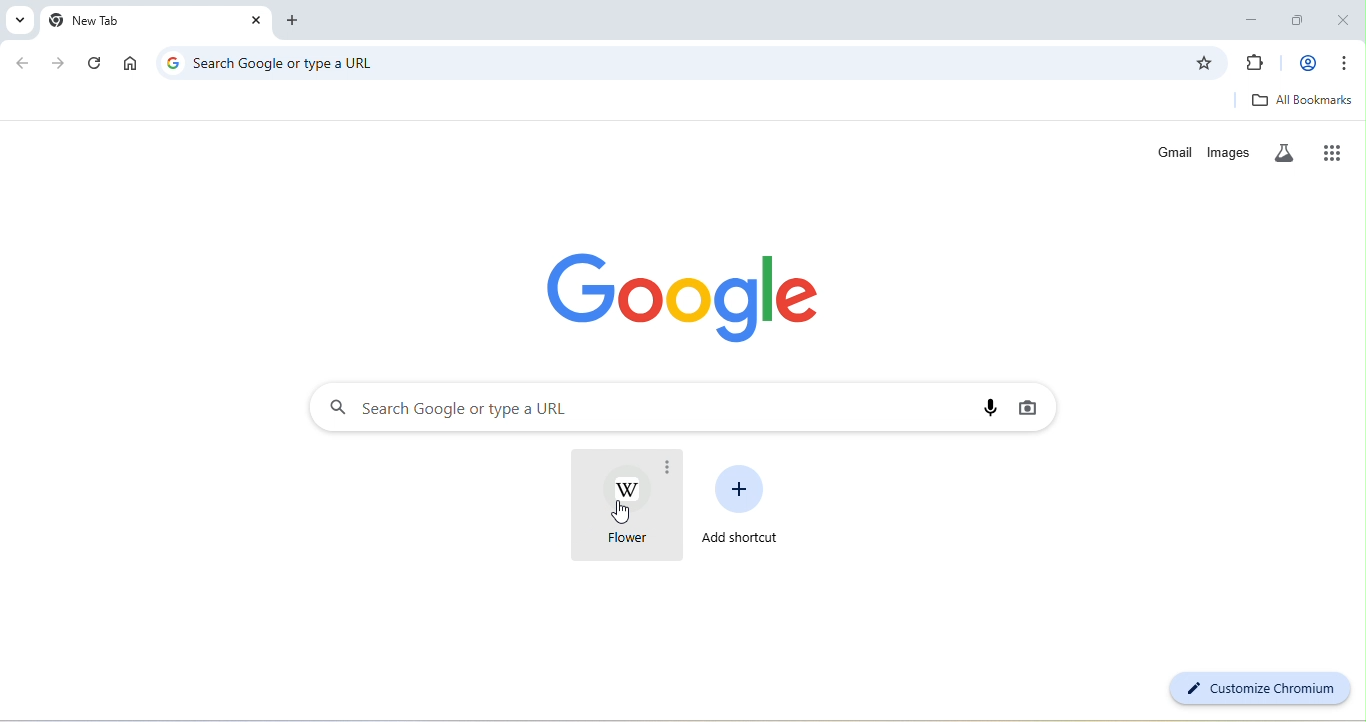 The image size is (1366, 722). What do you see at coordinates (144, 21) in the screenshot?
I see `new tab` at bounding box center [144, 21].